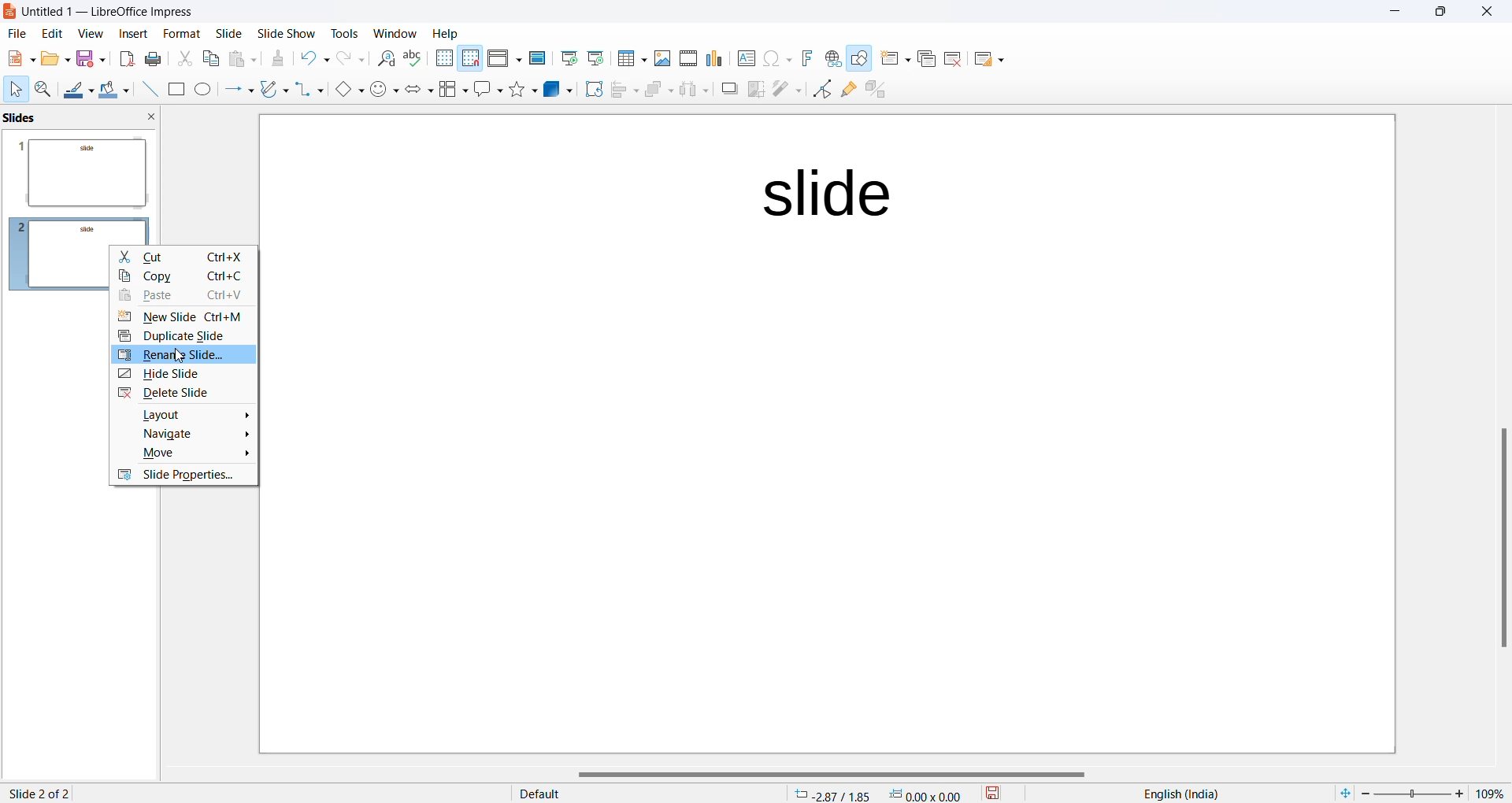 This screenshot has height=803, width=1512. Describe the element at coordinates (351, 58) in the screenshot. I see `Redo` at that location.